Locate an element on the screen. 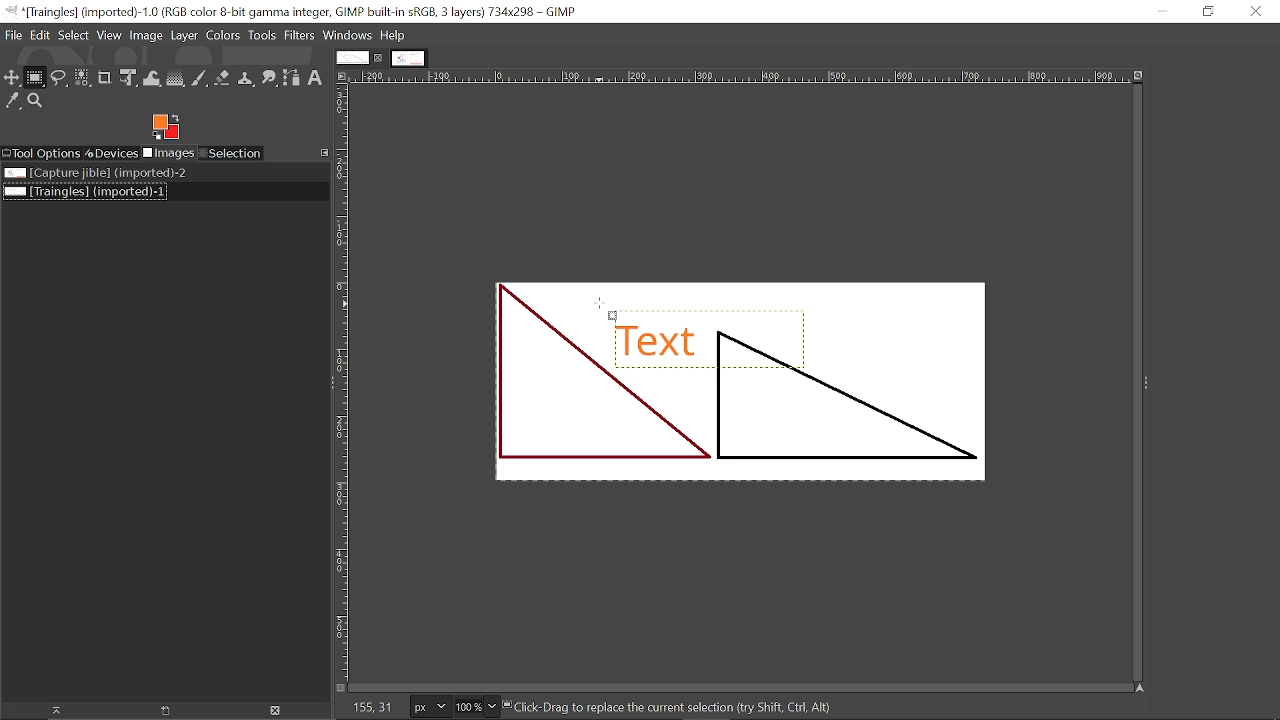 The height and width of the screenshot is (720, 1280). Gradient tool is located at coordinates (176, 79).